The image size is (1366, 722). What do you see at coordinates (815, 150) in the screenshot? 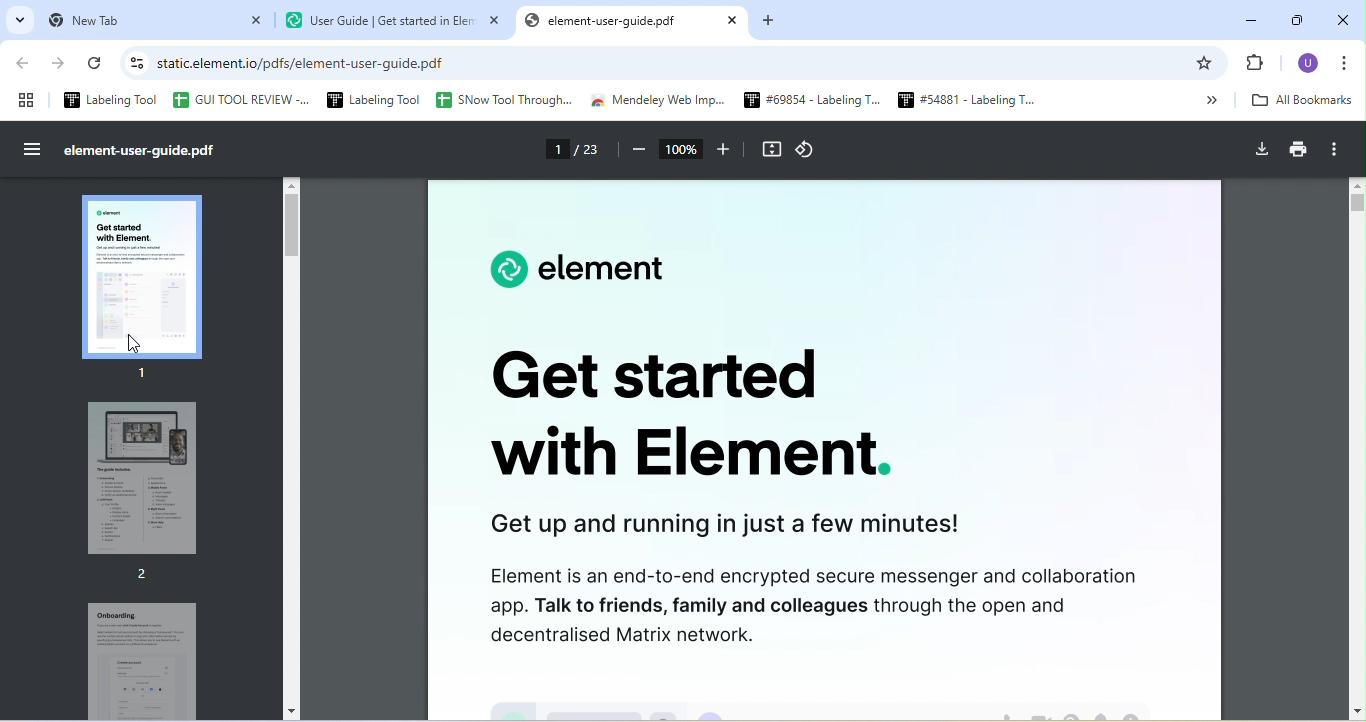
I see `rotate` at bounding box center [815, 150].